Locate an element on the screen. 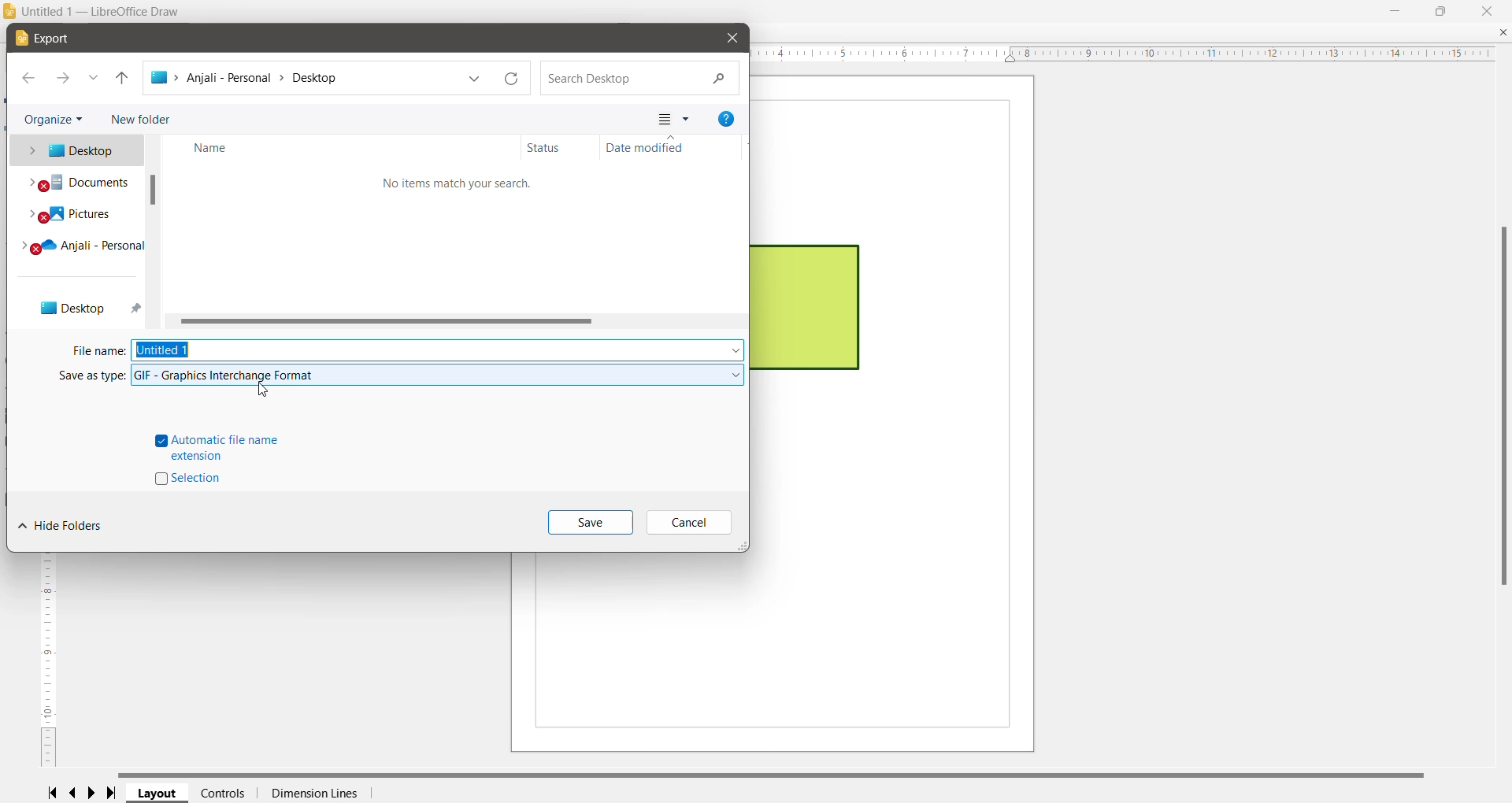 The image size is (1512, 803). Scroll to previous page is located at coordinates (74, 794).